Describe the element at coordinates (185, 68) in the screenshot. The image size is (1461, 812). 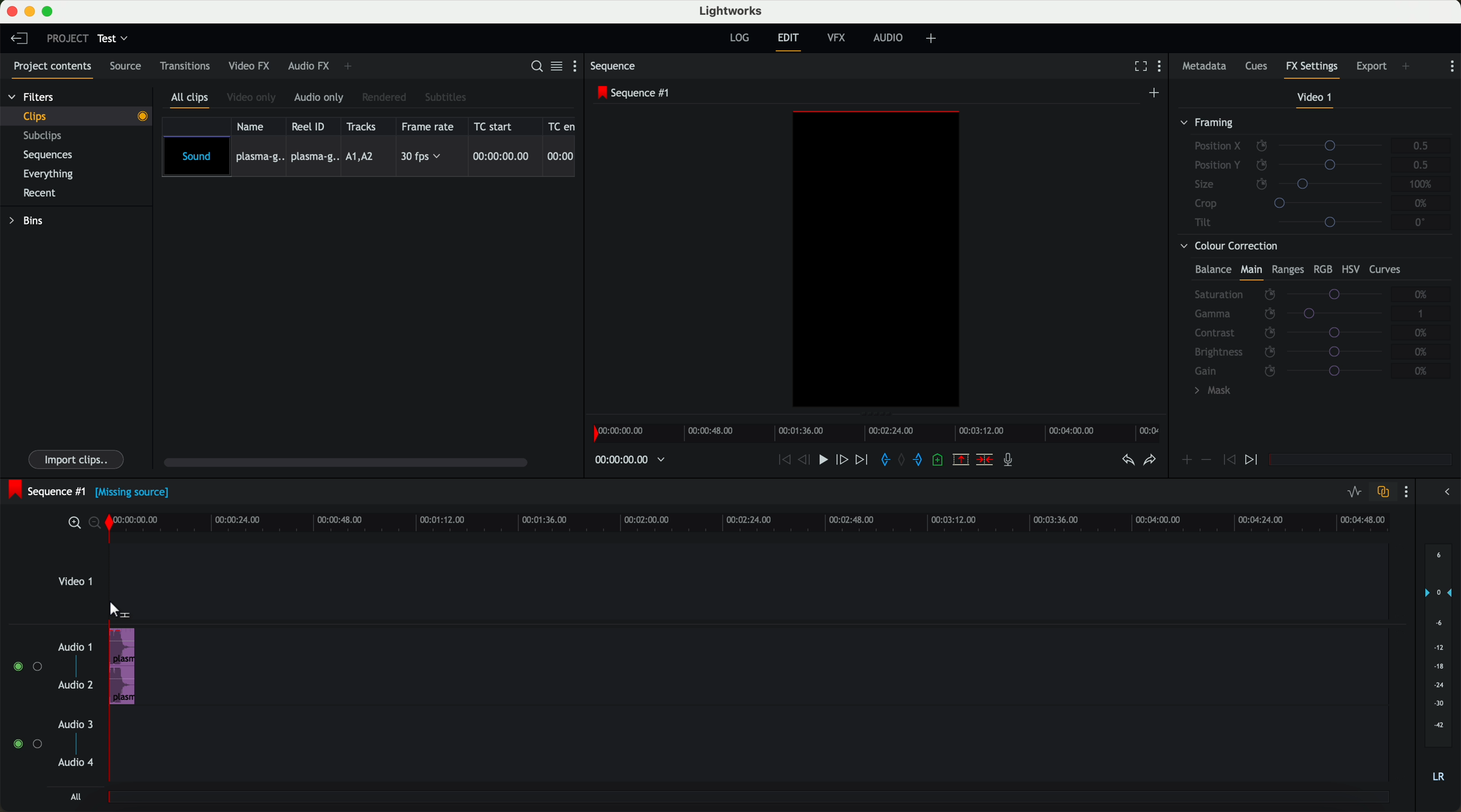
I see `transitions` at that location.